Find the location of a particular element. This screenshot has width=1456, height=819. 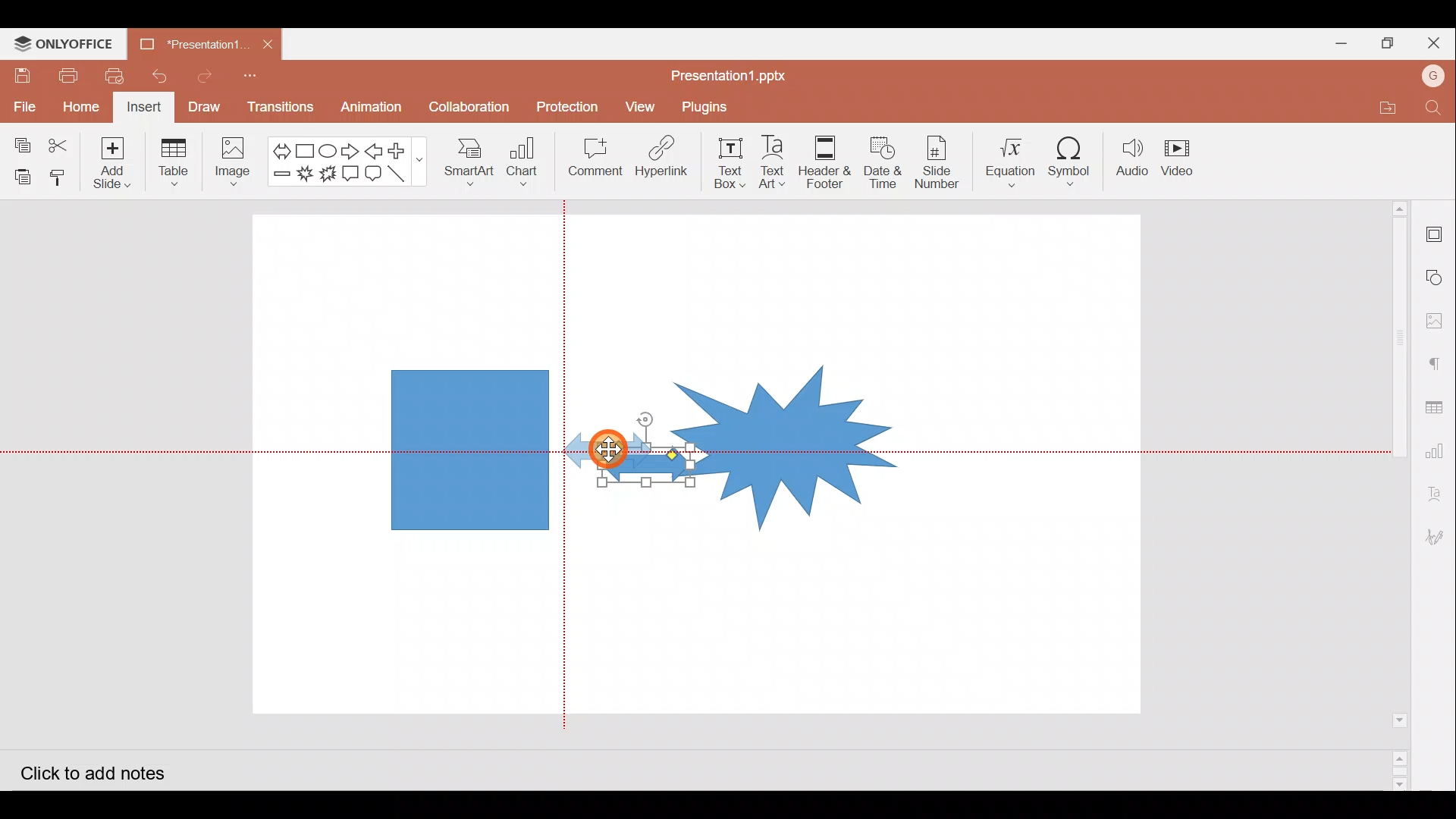

Ellipse is located at coordinates (327, 149).